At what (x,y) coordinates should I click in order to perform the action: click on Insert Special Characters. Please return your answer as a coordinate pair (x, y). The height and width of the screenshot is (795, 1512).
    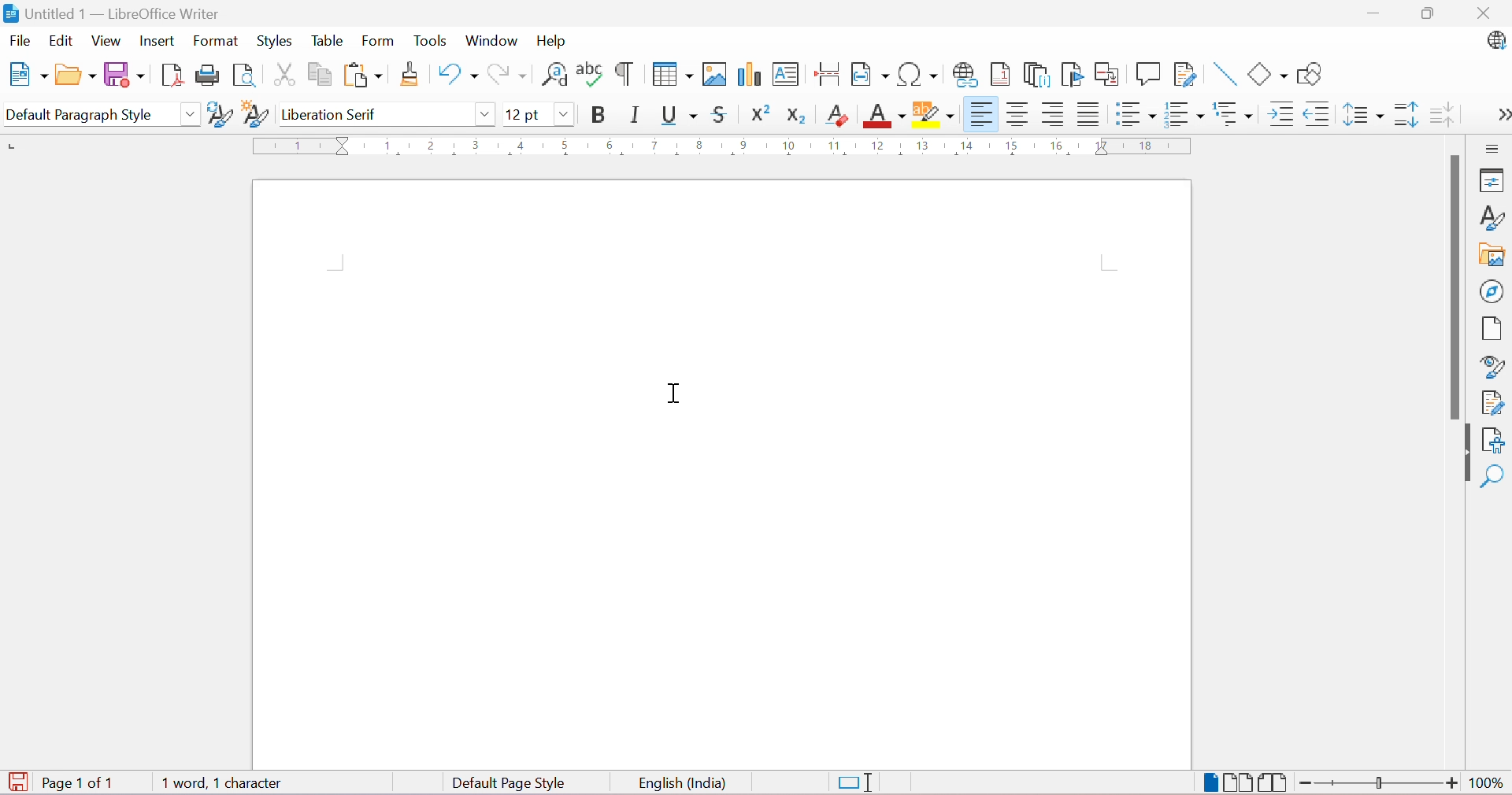
    Looking at the image, I should click on (918, 75).